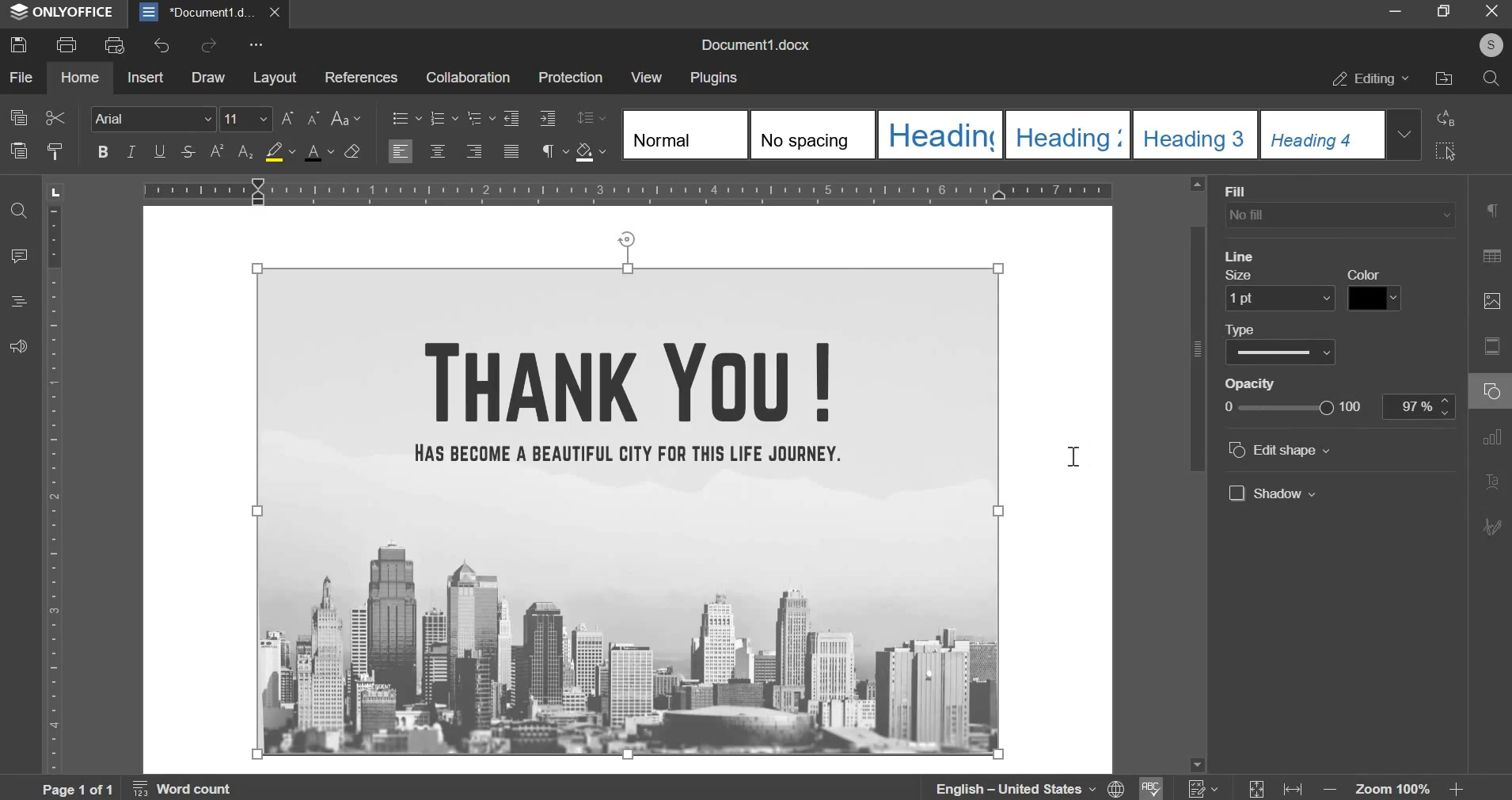 The width and height of the screenshot is (1512, 800). What do you see at coordinates (215, 151) in the screenshot?
I see `superscript` at bounding box center [215, 151].